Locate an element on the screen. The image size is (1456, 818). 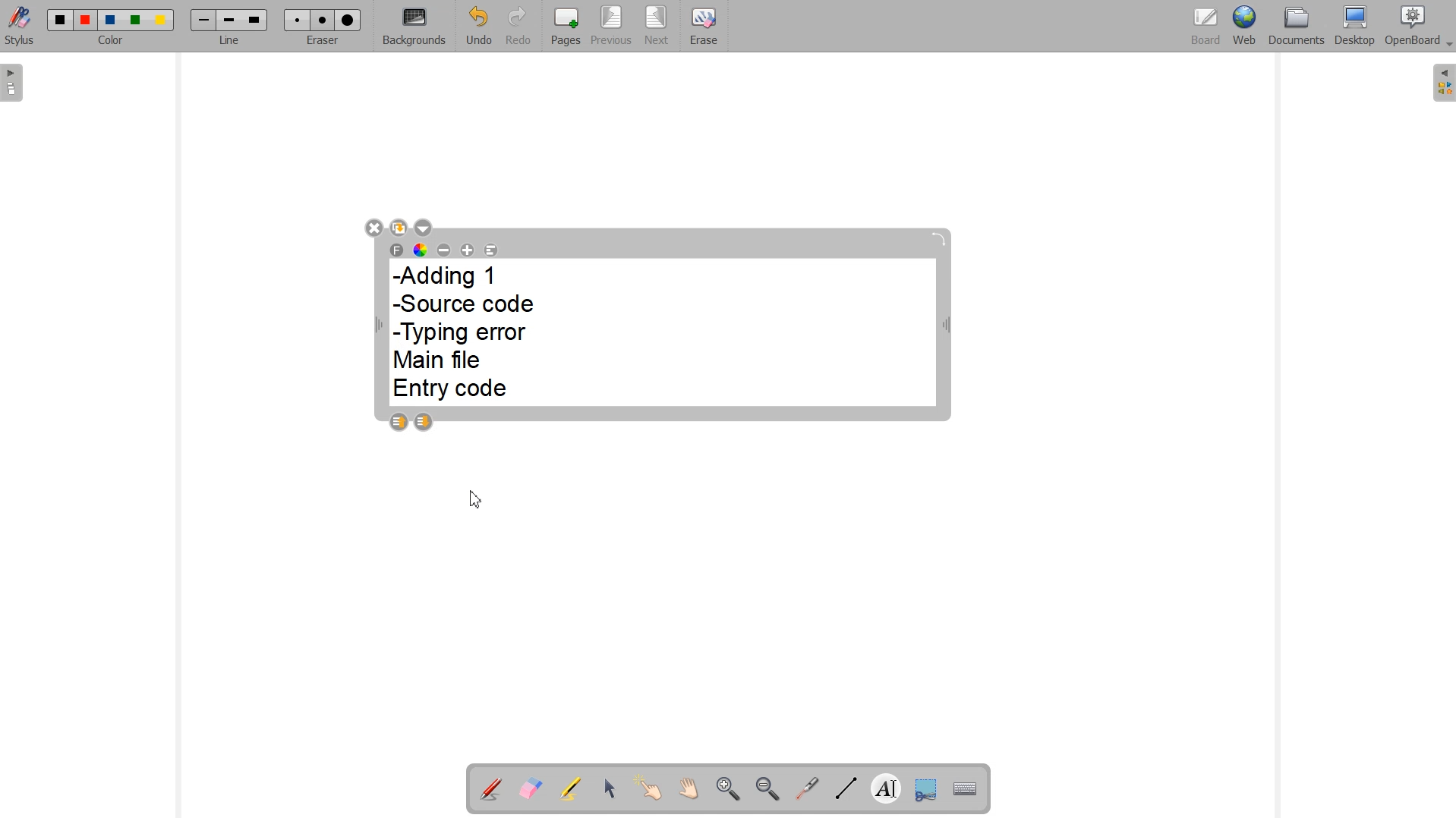
Highlight is located at coordinates (572, 788).